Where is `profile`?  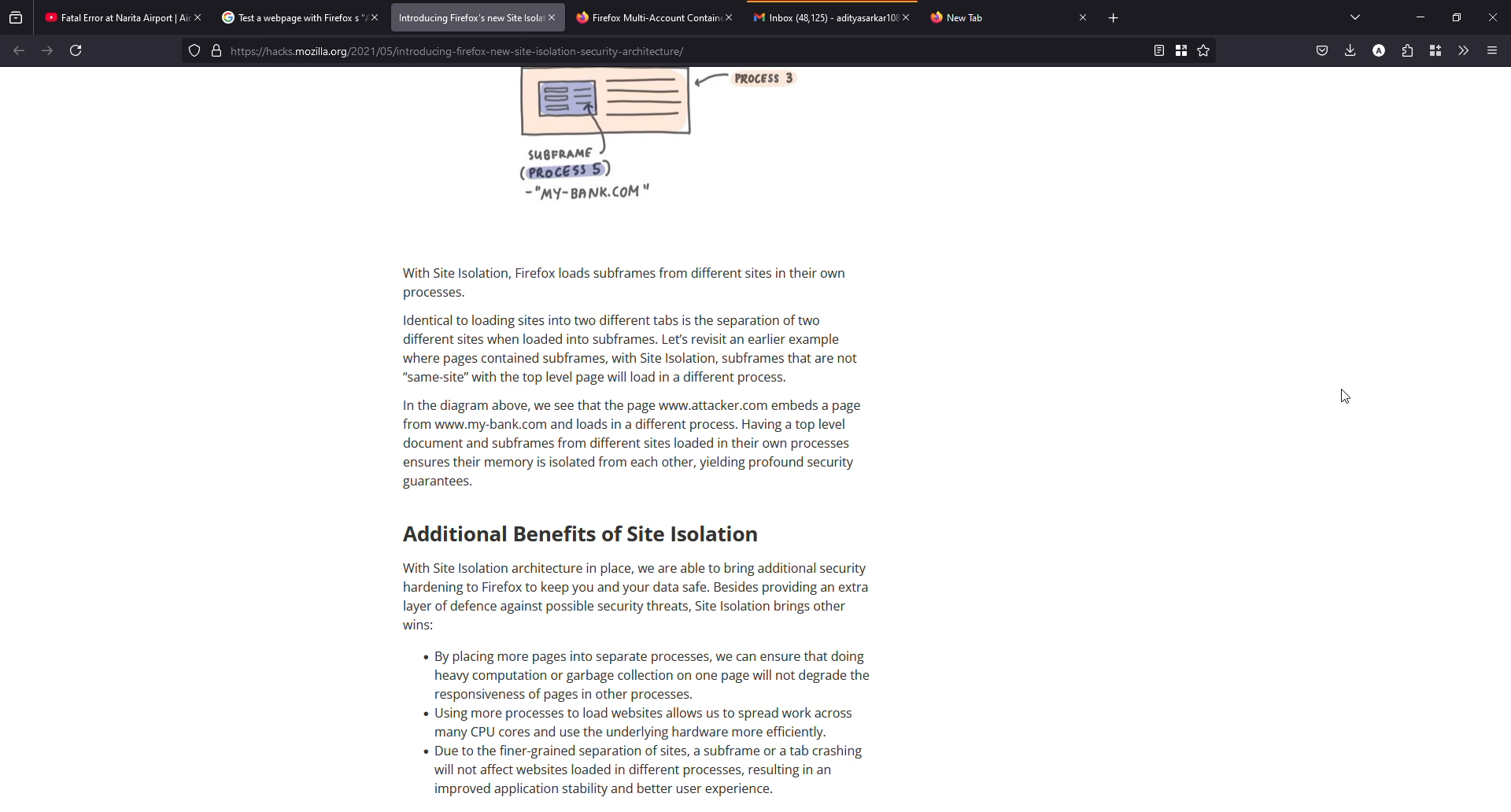 profile is located at coordinates (1377, 50).